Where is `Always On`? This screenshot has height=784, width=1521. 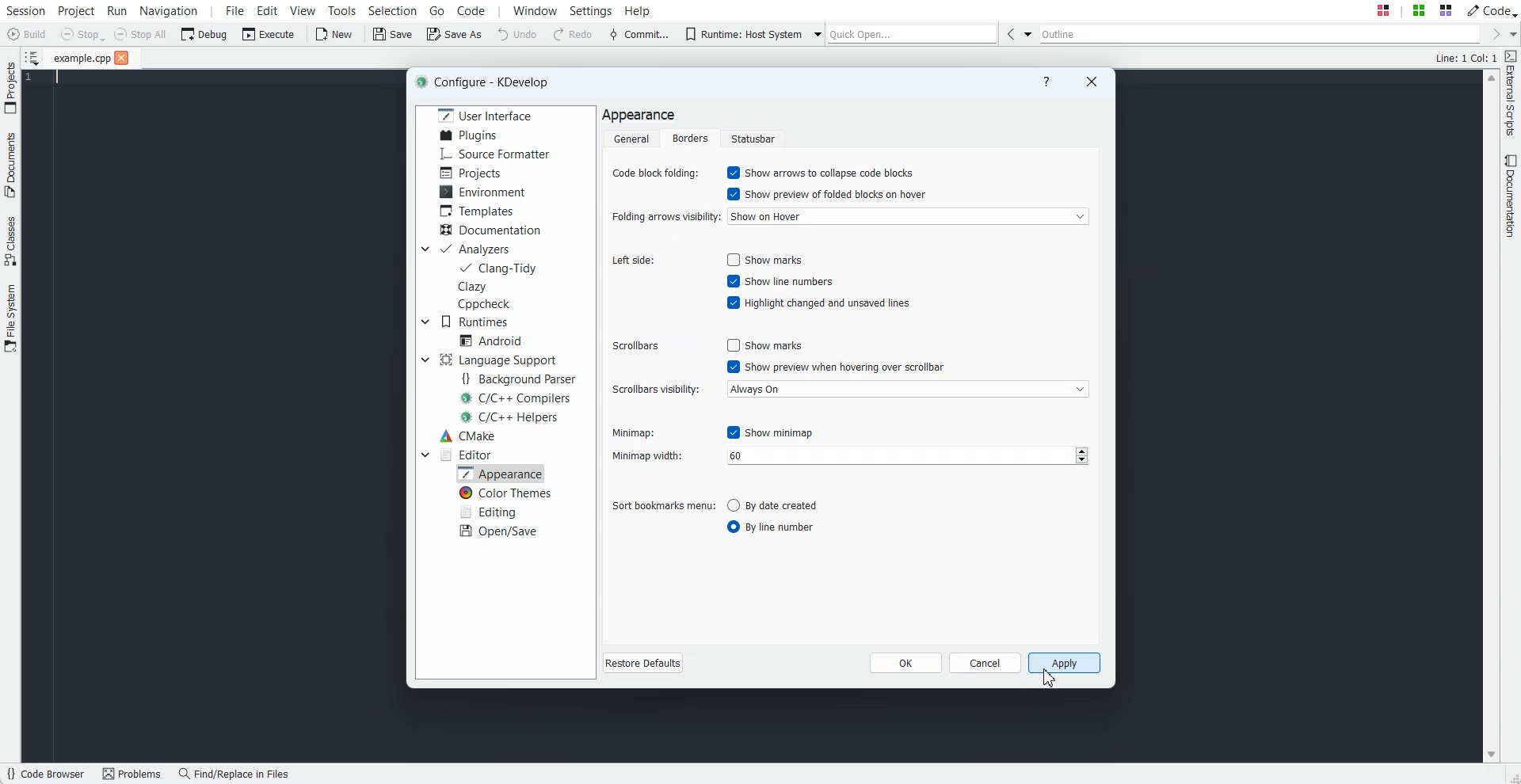
Always On is located at coordinates (908, 388).